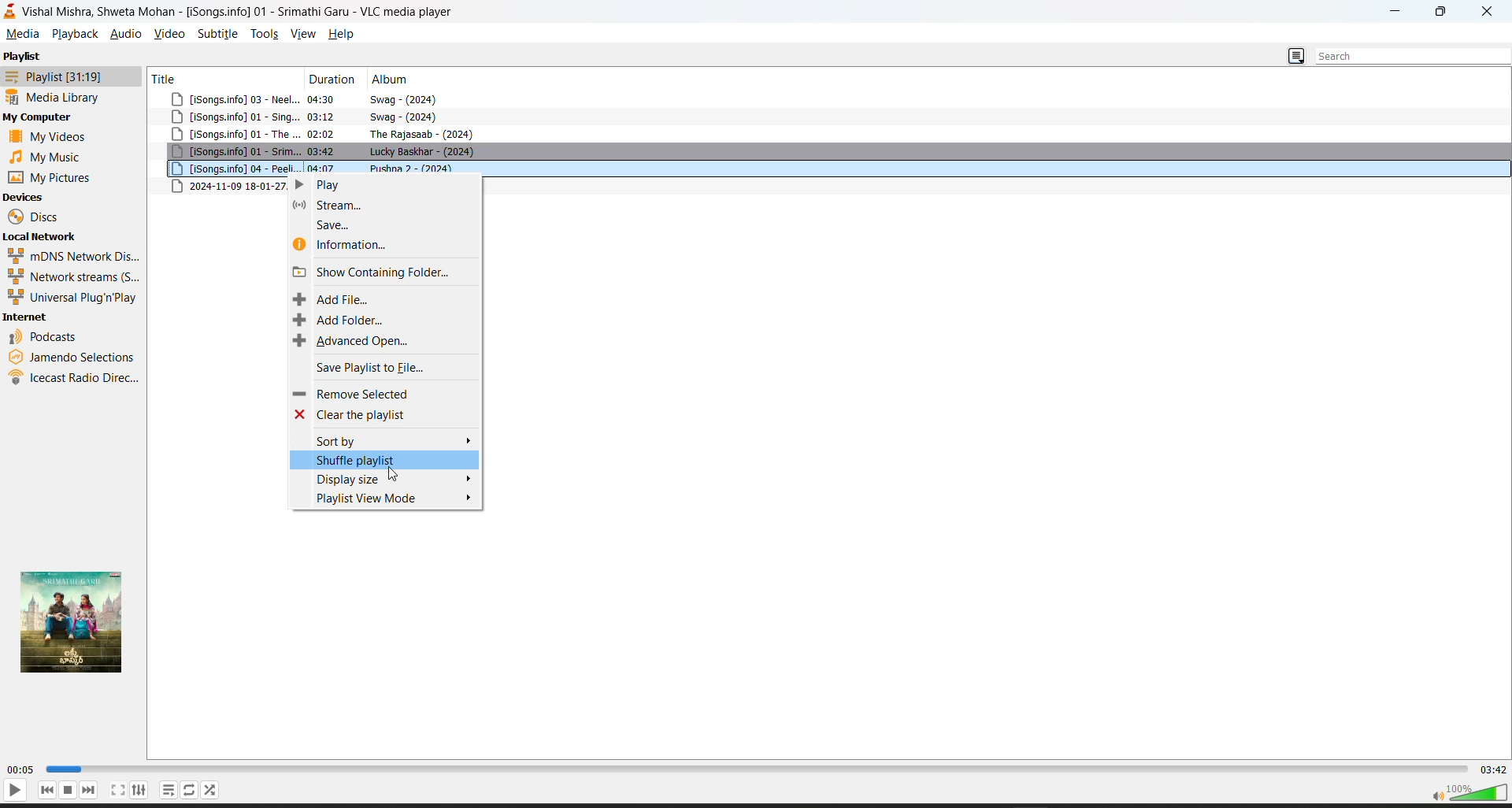 The width and height of the screenshot is (1512, 808). Describe the element at coordinates (396, 474) in the screenshot. I see `cursor movement` at that location.